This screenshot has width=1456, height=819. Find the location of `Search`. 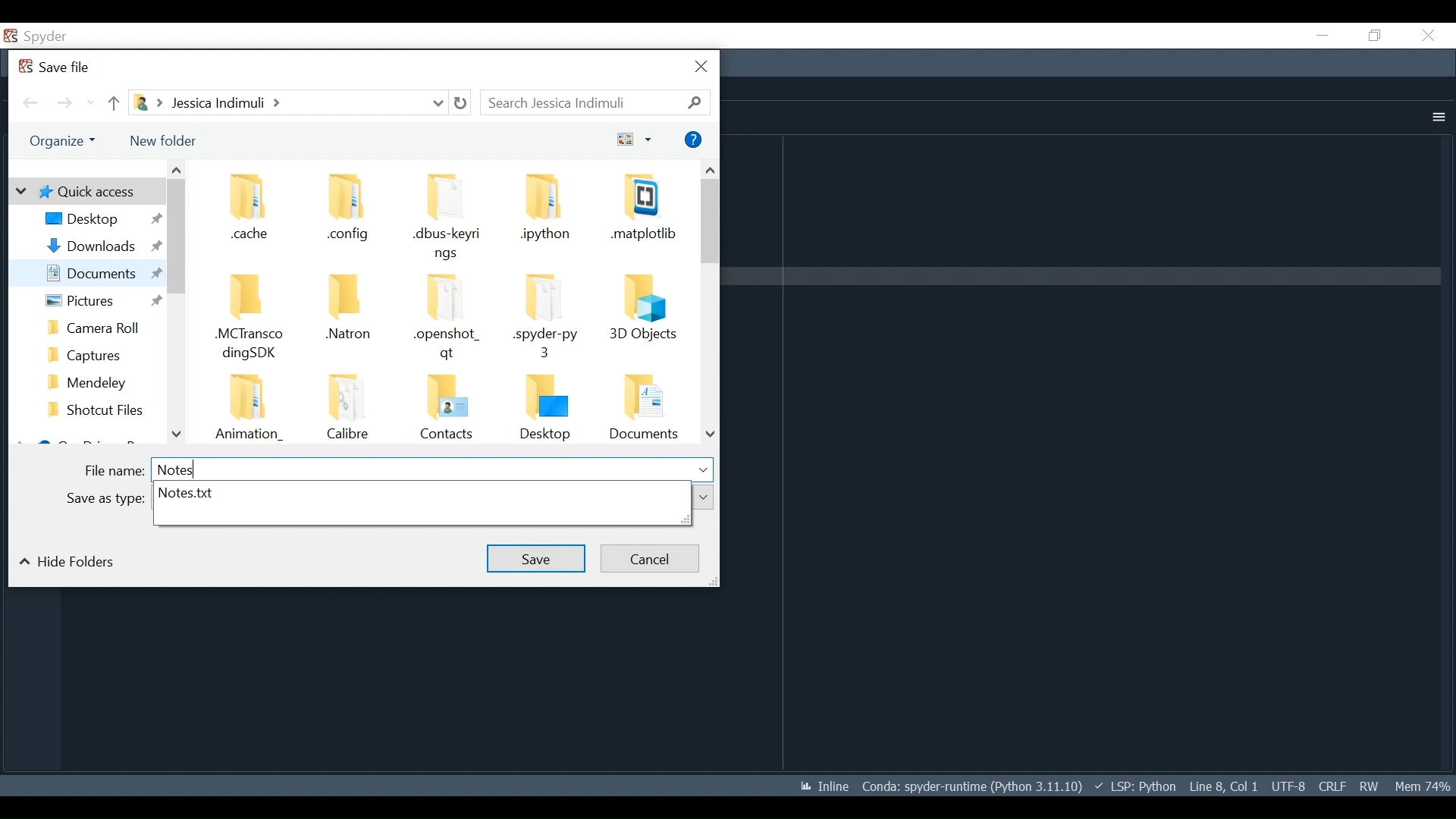

Search is located at coordinates (595, 102).